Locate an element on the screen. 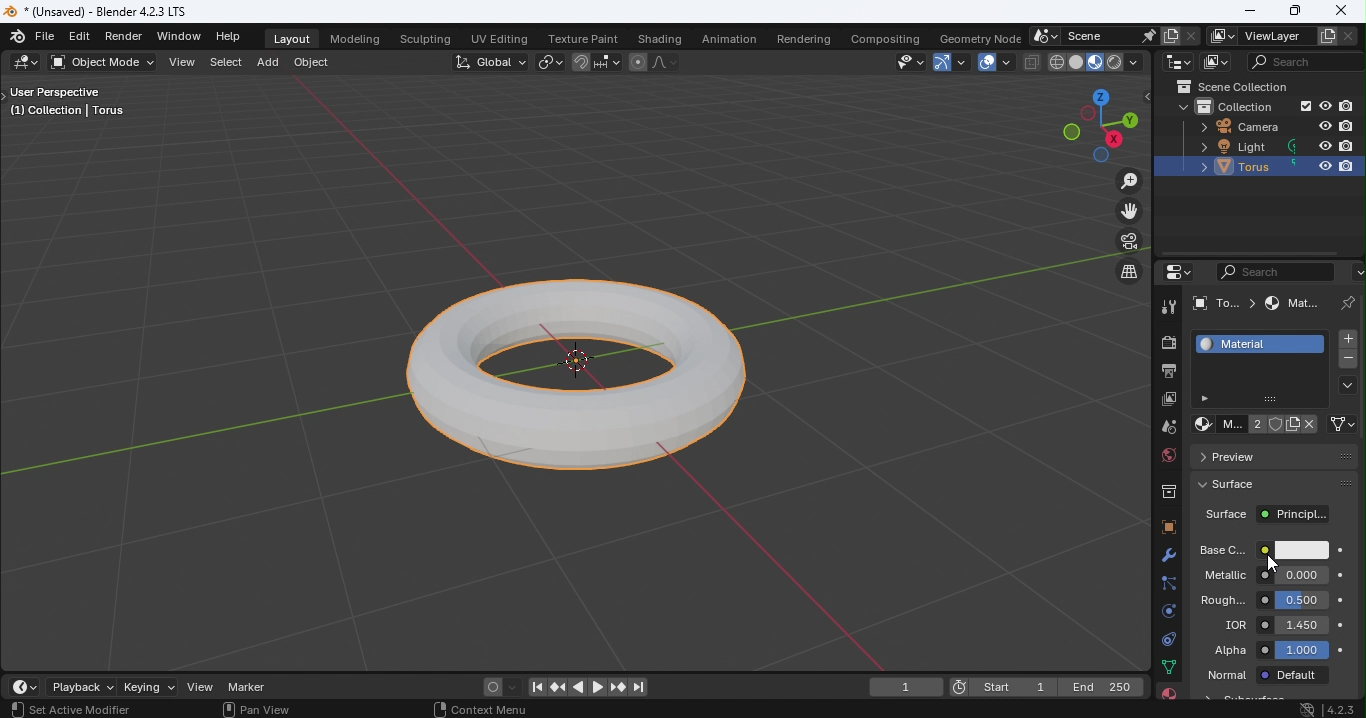 The width and height of the screenshot is (1366, 718). Surface is located at coordinates (1264, 513).